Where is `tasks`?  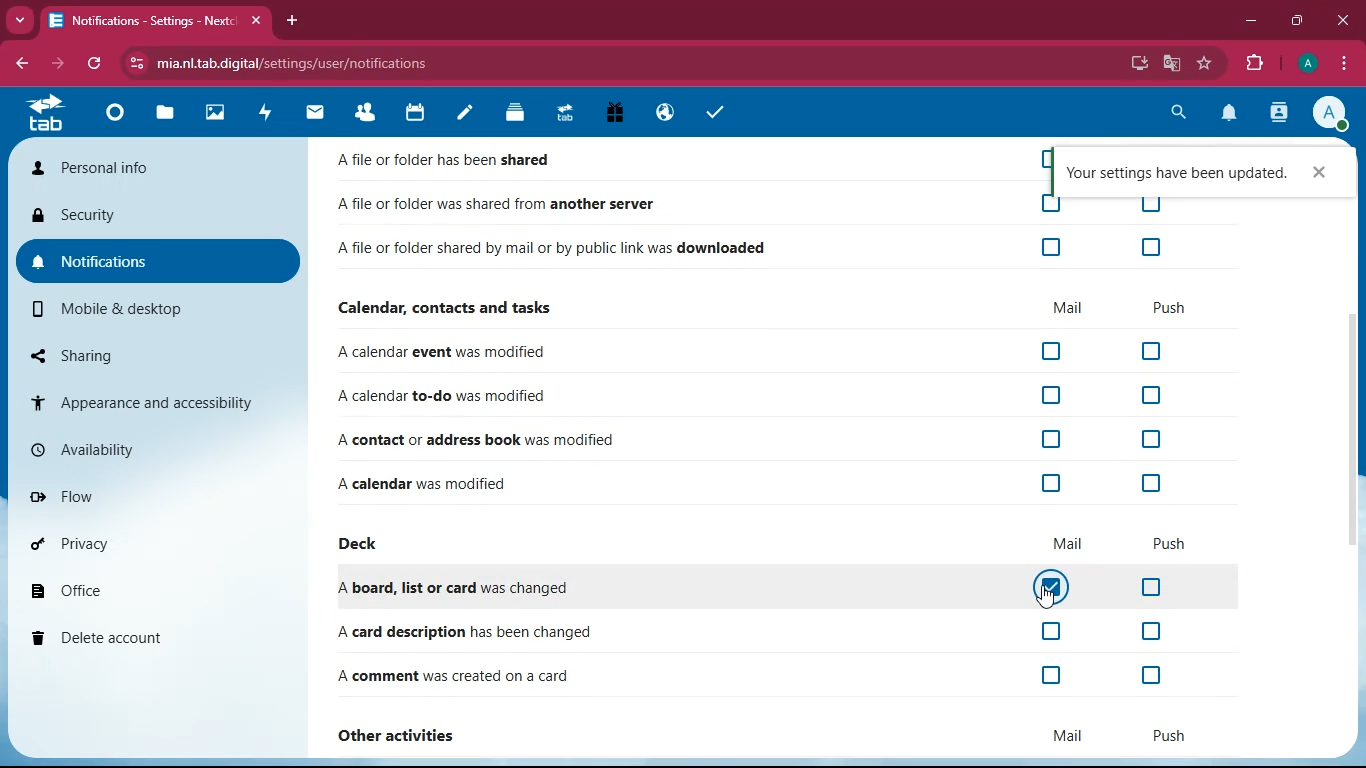
tasks is located at coordinates (718, 112).